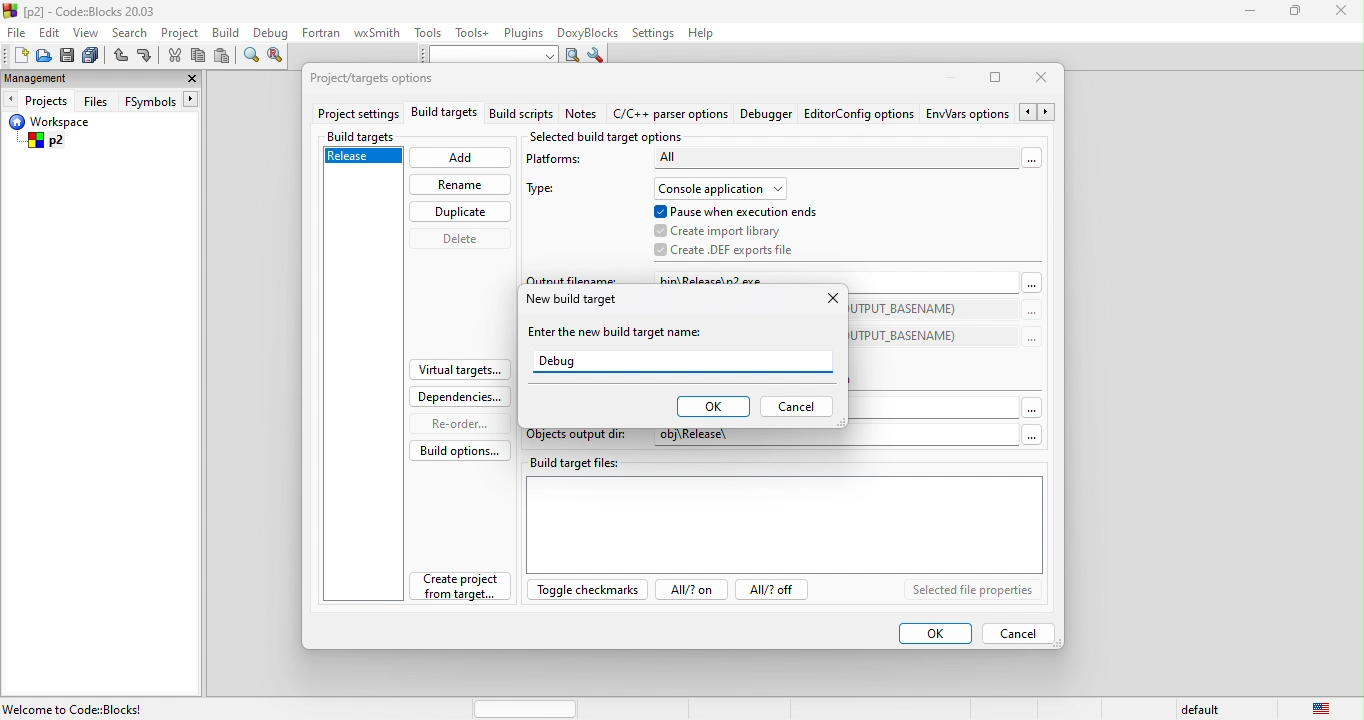  Describe the element at coordinates (15, 55) in the screenshot. I see `new` at that location.